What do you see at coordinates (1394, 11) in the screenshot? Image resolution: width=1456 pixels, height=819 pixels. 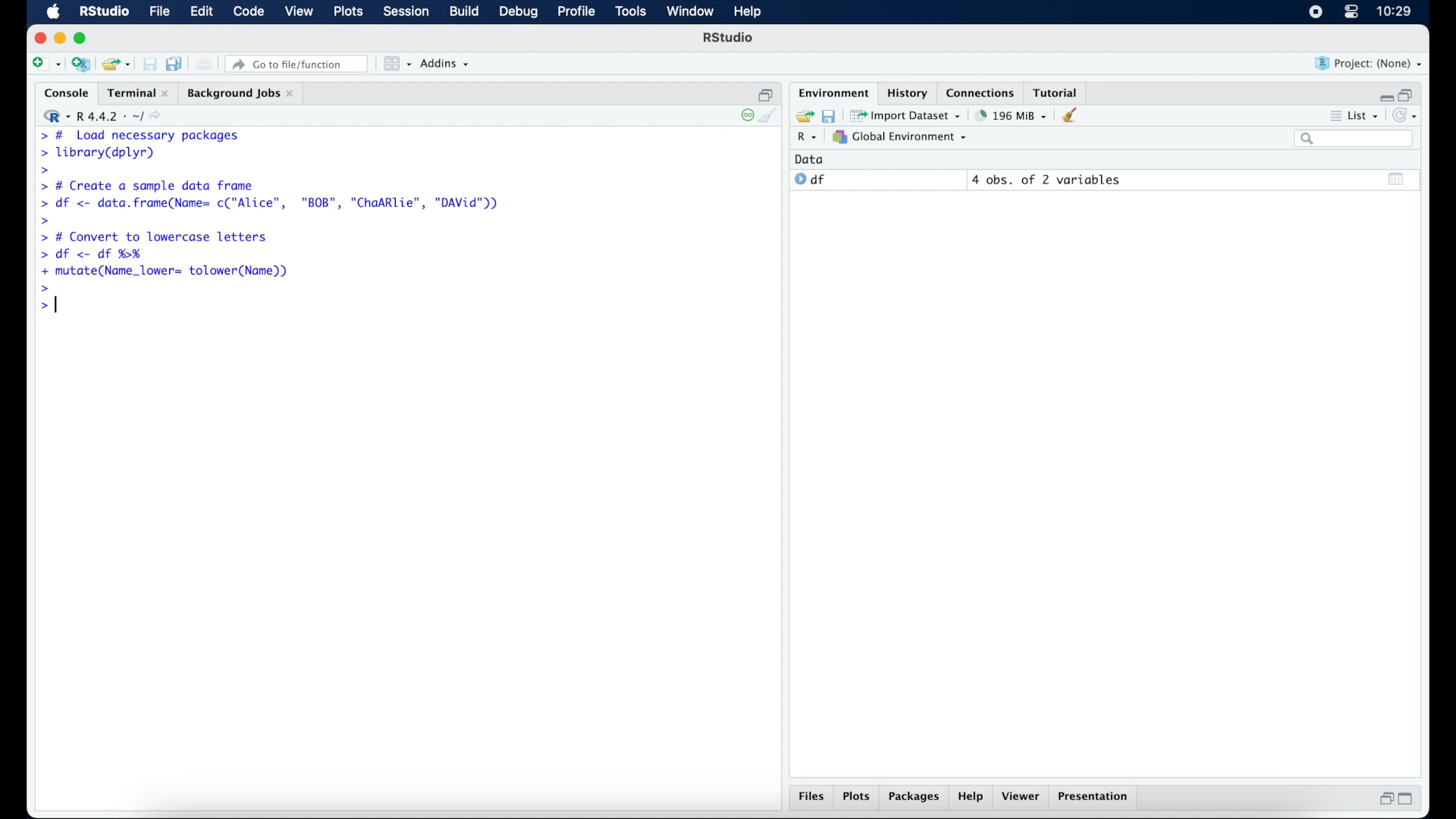 I see `10.27` at bounding box center [1394, 11].